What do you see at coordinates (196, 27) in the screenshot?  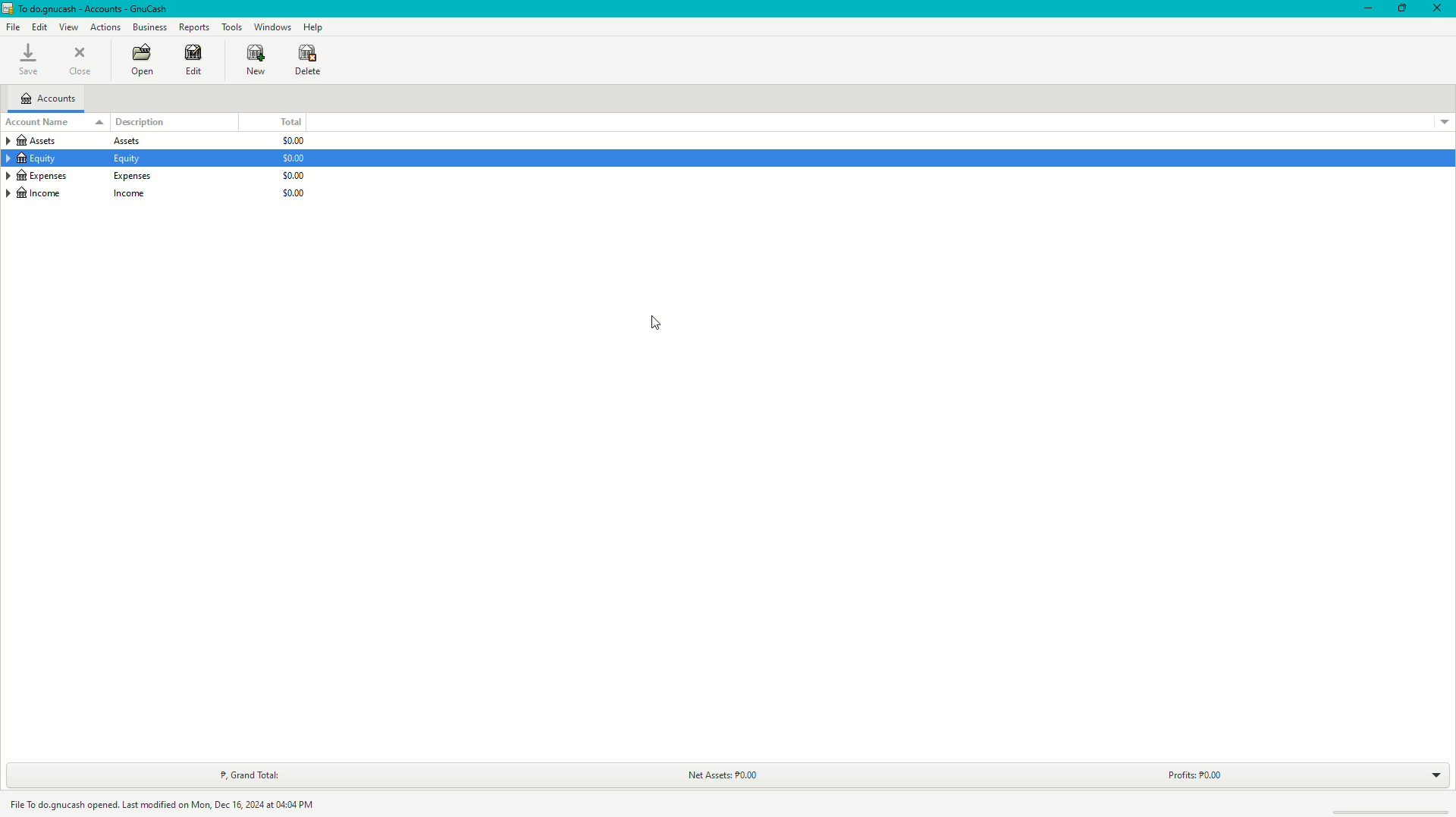 I see `Reports` at bounding box center [196, 27].